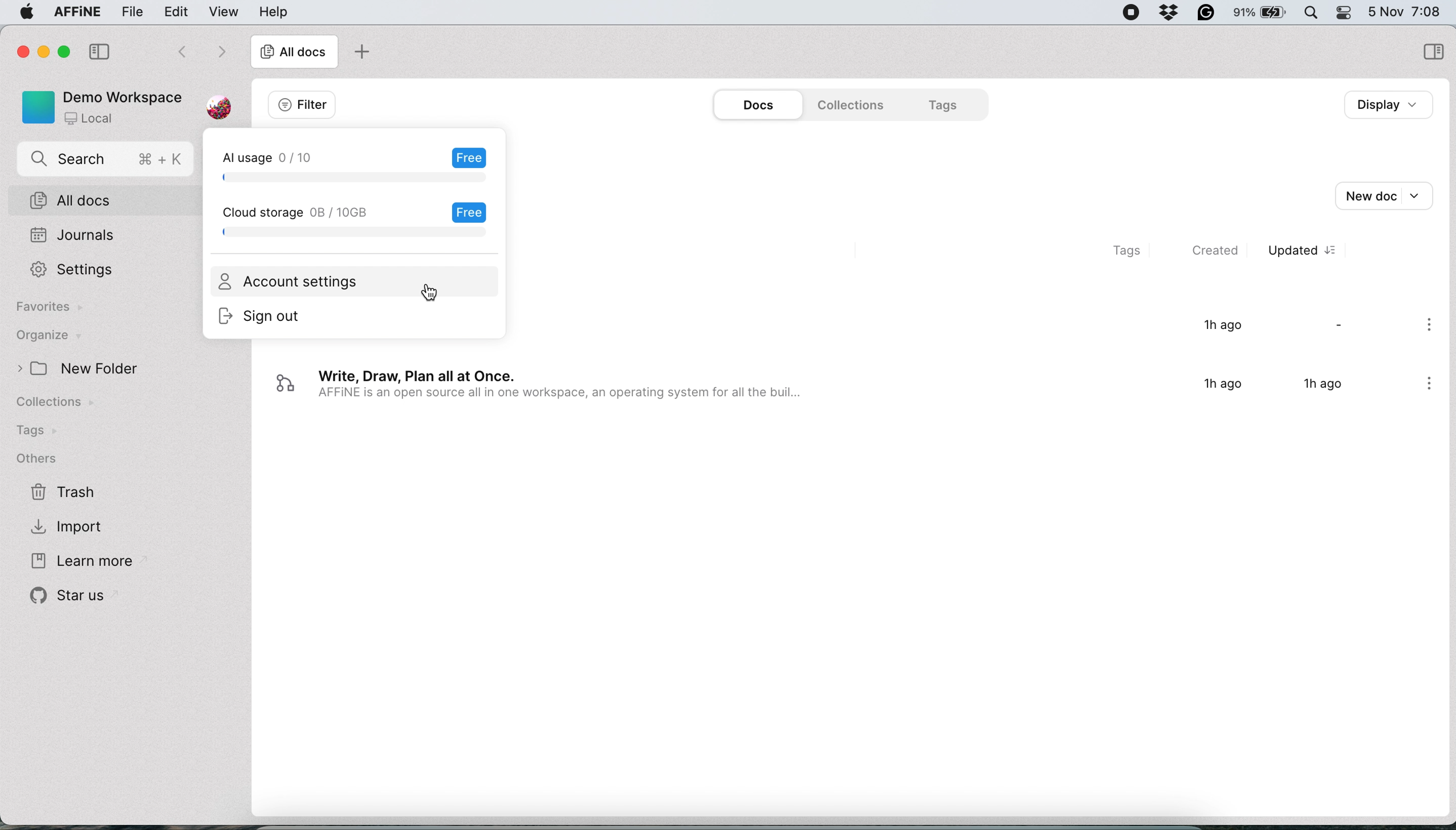 The width and height of the screenshot is (1456, 830). I want to click on Write, Draw, Plan all at Once.
b's Y Aa h : : 1h 1h
AFFINE is an open source all in one workspace, an operating system for all the buil... ago ago, so click(828, 389).